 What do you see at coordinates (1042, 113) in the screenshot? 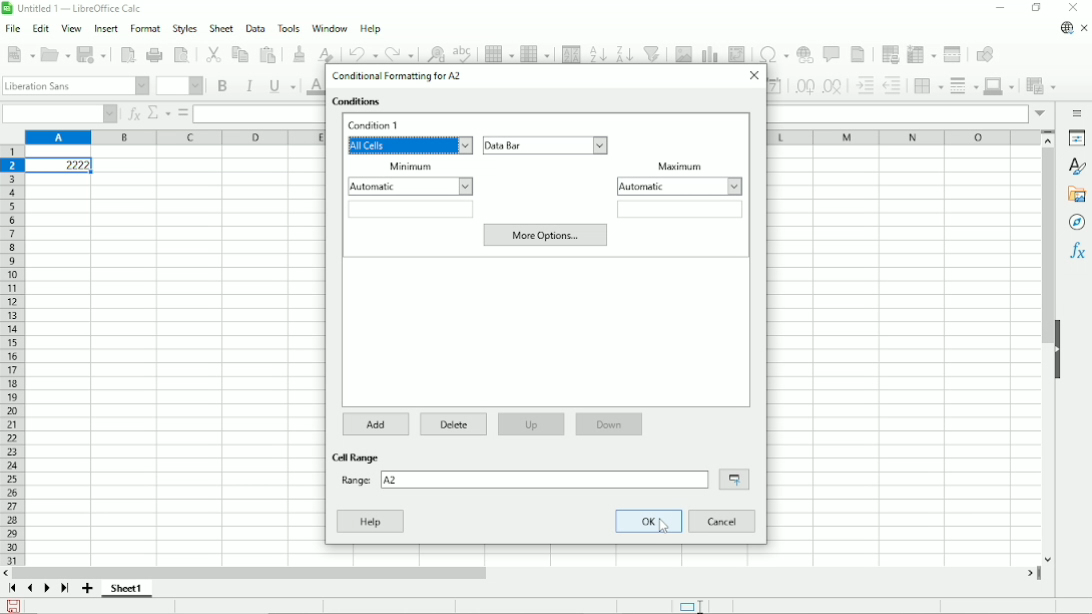
I see `Expand formula bar` at bounding box center [1042, 113].